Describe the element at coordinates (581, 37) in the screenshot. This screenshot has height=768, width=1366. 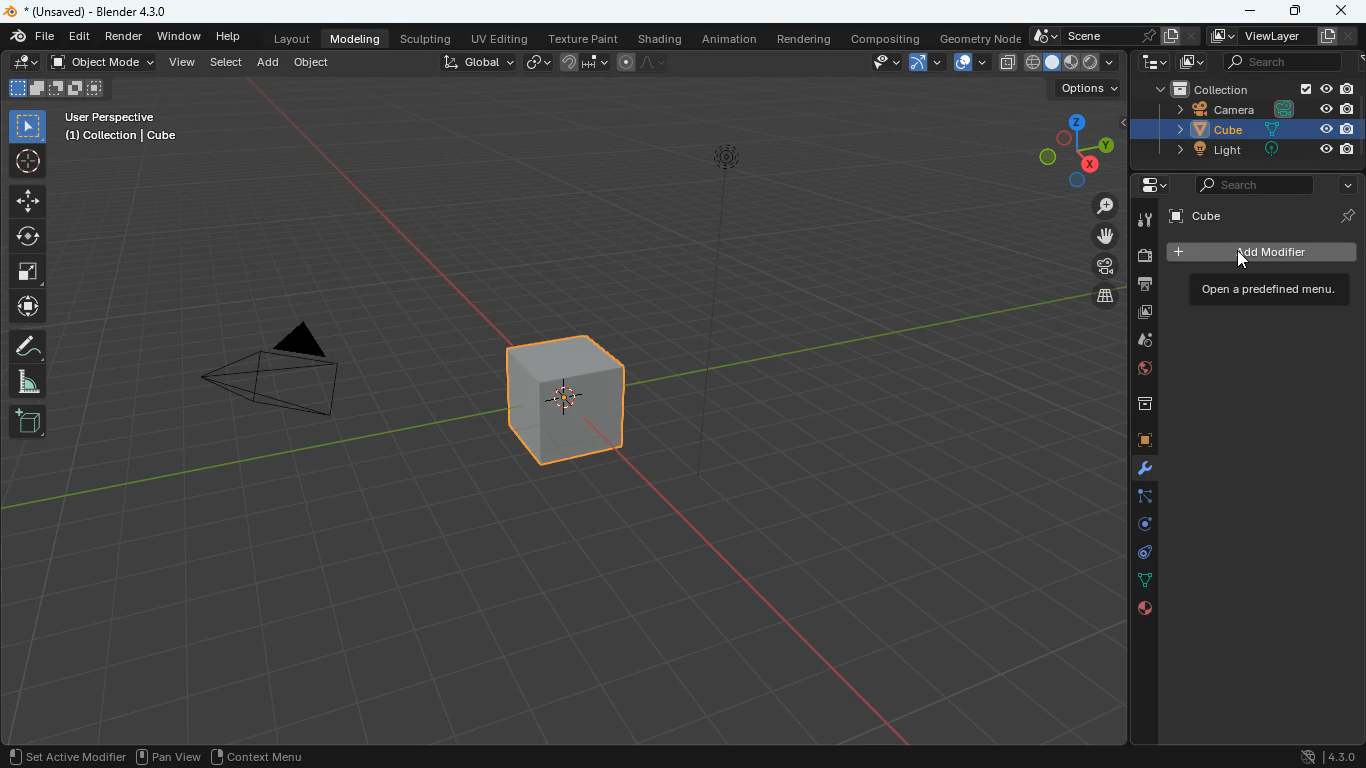
I see `texture paint` at that location.